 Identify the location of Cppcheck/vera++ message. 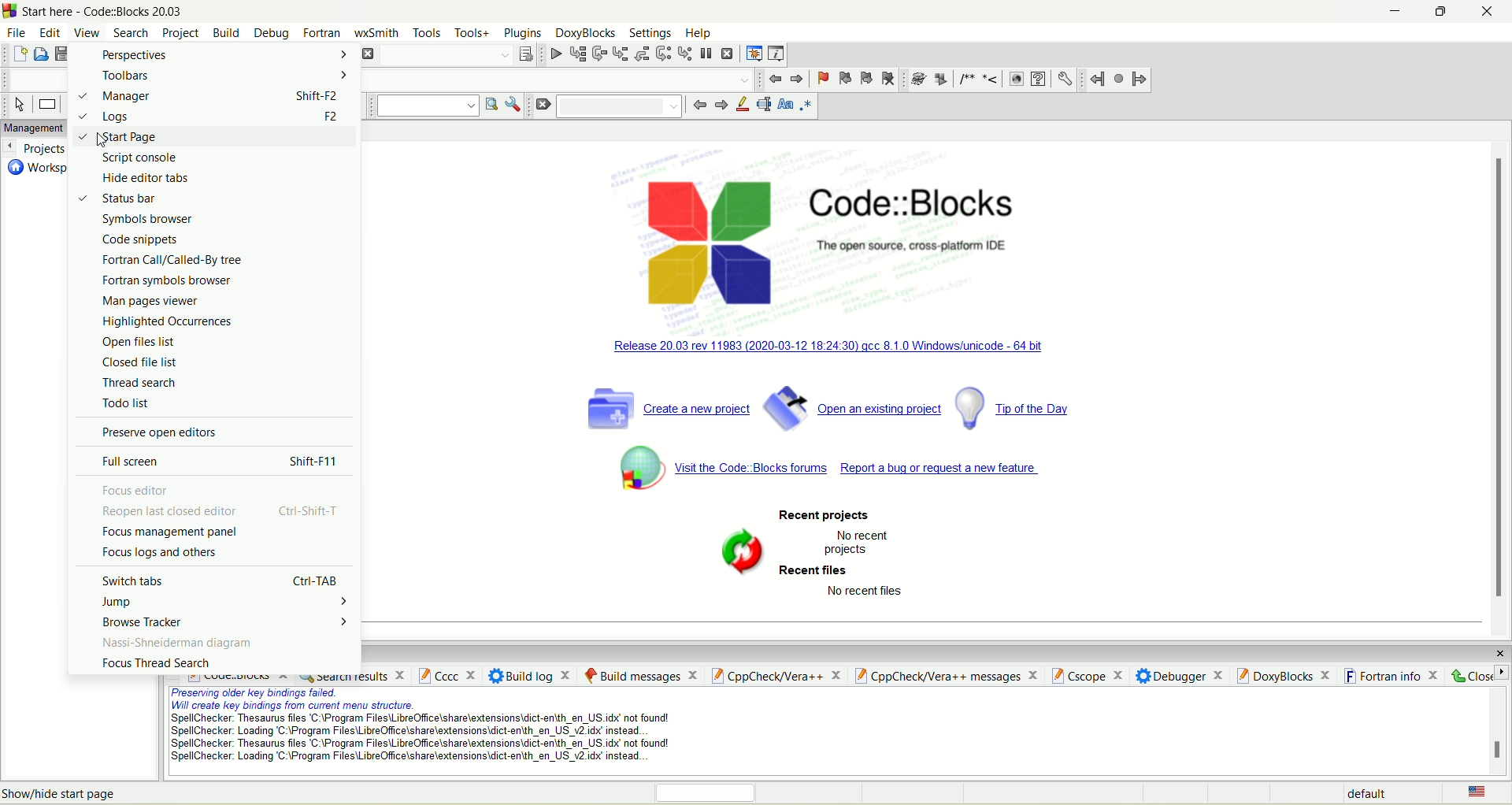
(944, 675).